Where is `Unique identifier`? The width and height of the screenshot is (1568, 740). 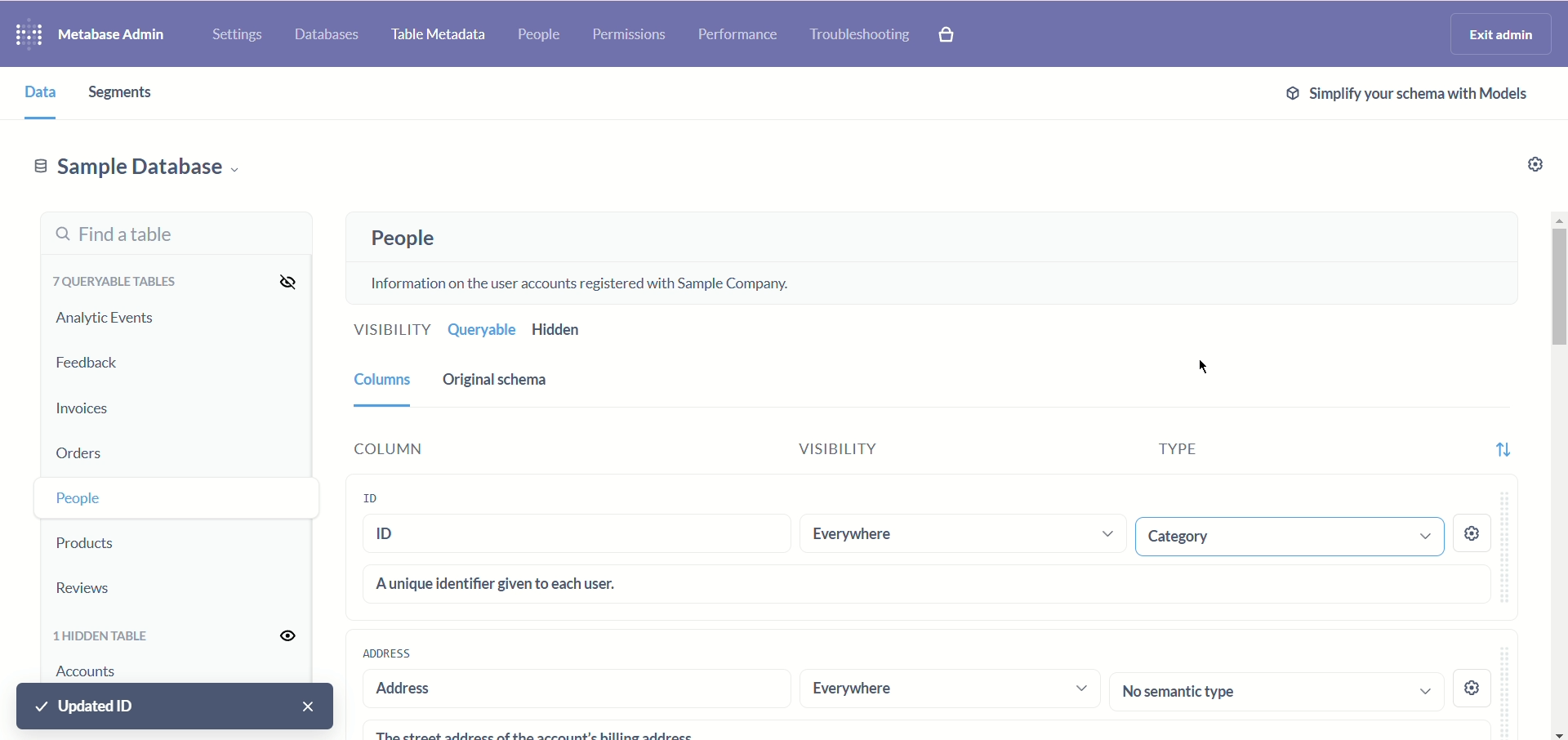 Unique identifier is located at coordinates (928, 583).